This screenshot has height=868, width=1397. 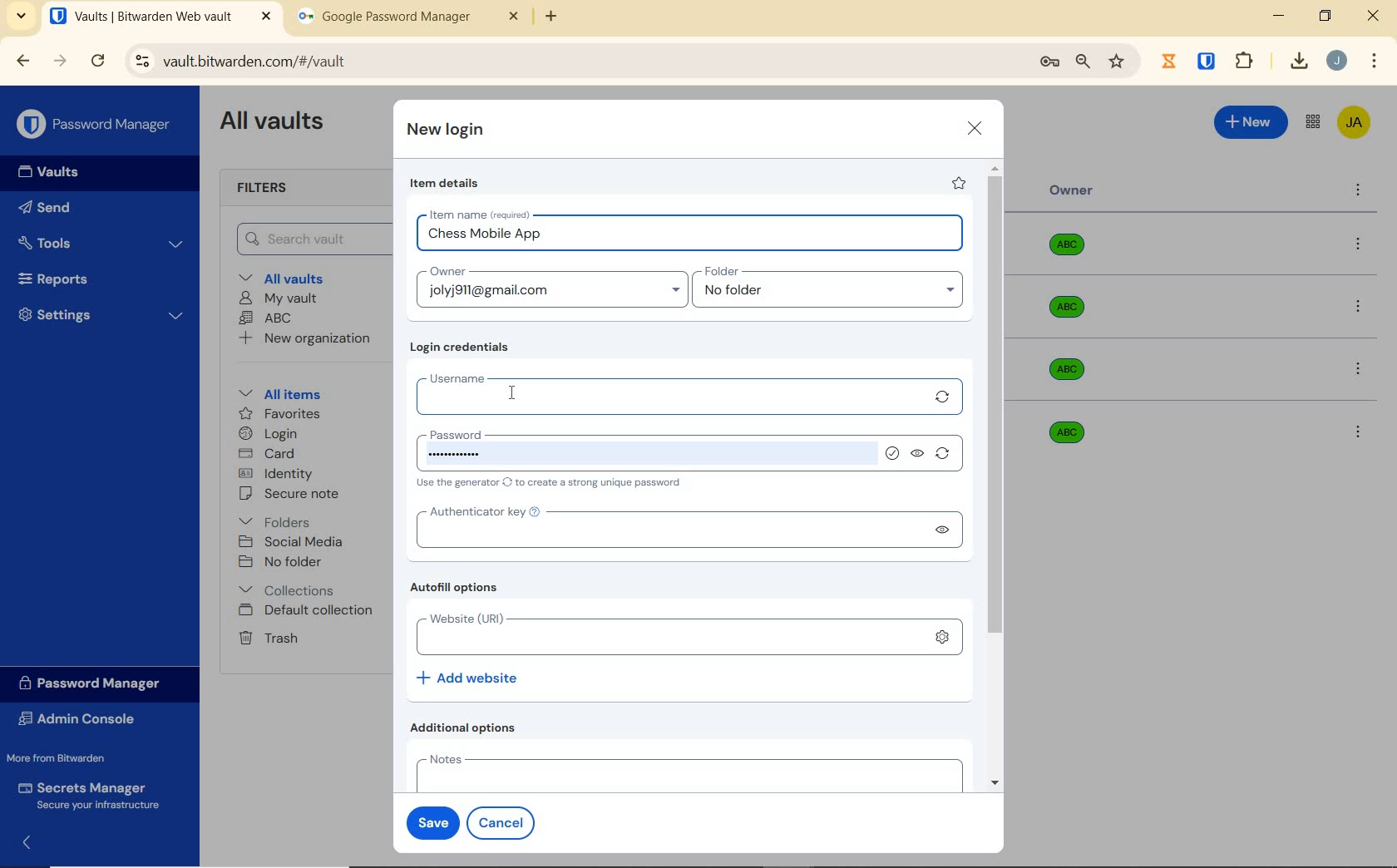 What do you see at coordinates (1251, 120) in the screenshot?
I see `New` at bounding box center [1251, 120].